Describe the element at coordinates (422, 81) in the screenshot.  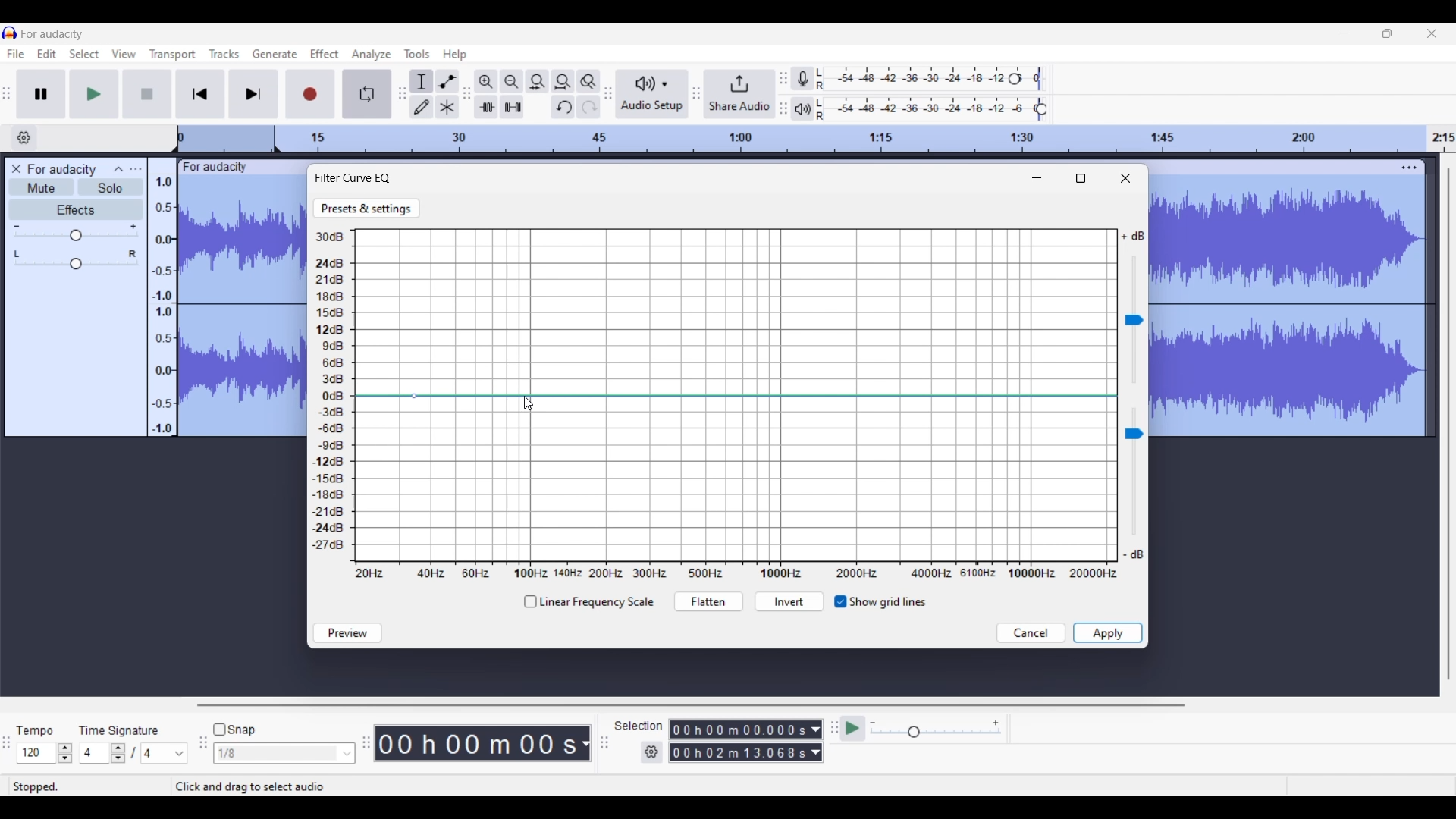
I see `Selection tool` at that location.